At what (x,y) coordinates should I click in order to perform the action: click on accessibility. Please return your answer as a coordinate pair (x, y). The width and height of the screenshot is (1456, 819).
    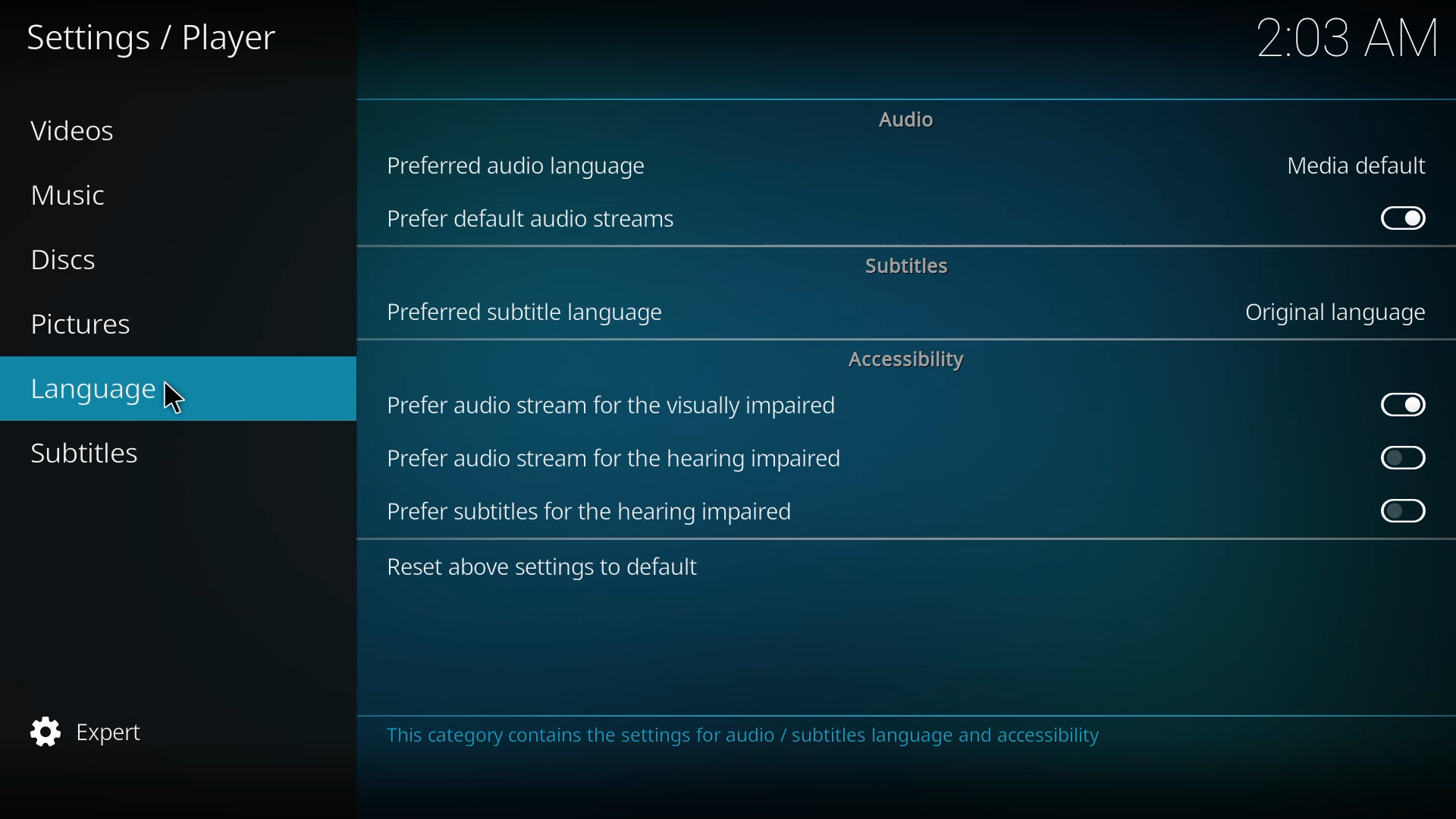
    Looking at the image, I should click on (912, 361).